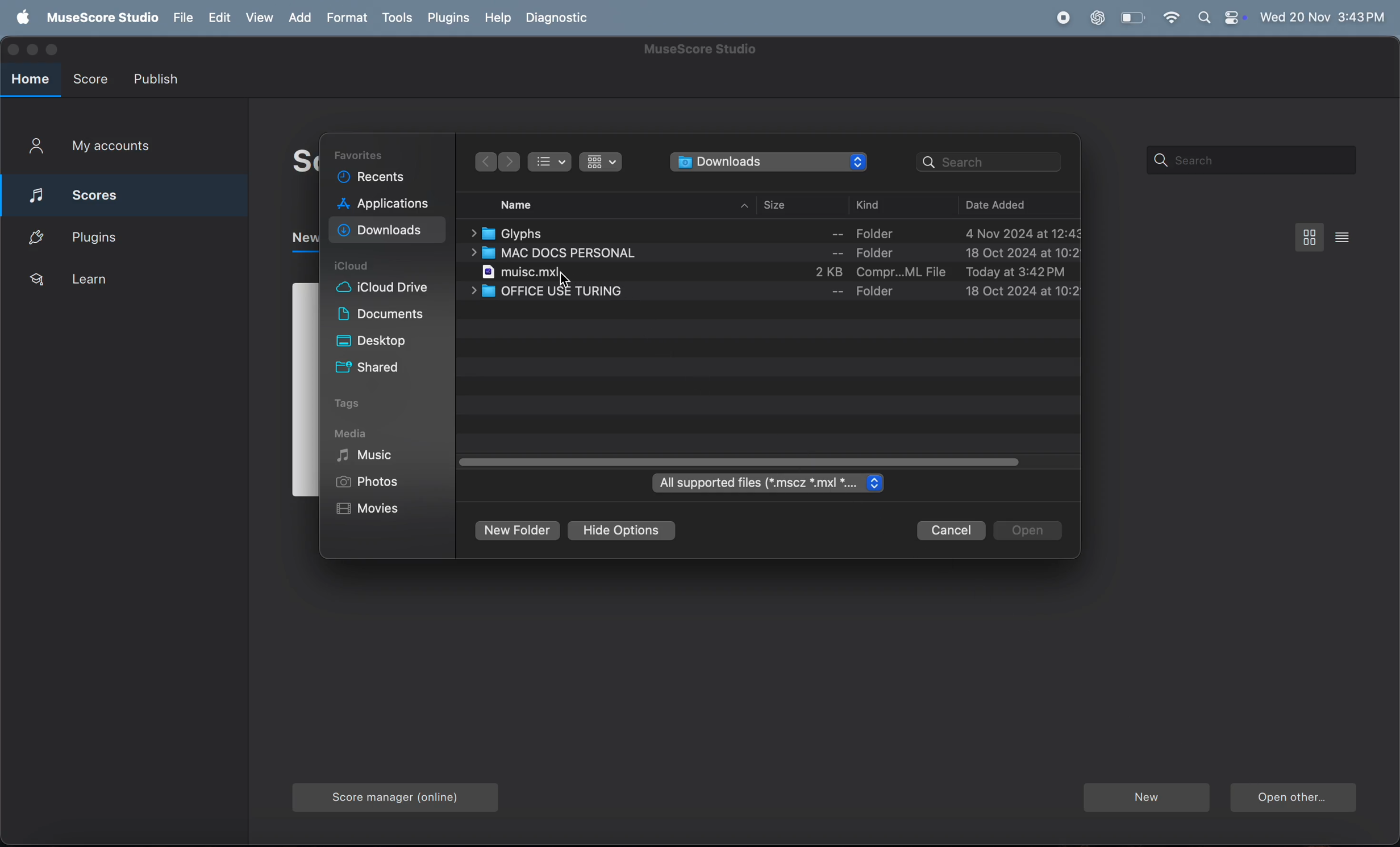  What do you see at coordinates (746, 206) in the screenshot?
I see `ip` at bounding box center [746, 206].